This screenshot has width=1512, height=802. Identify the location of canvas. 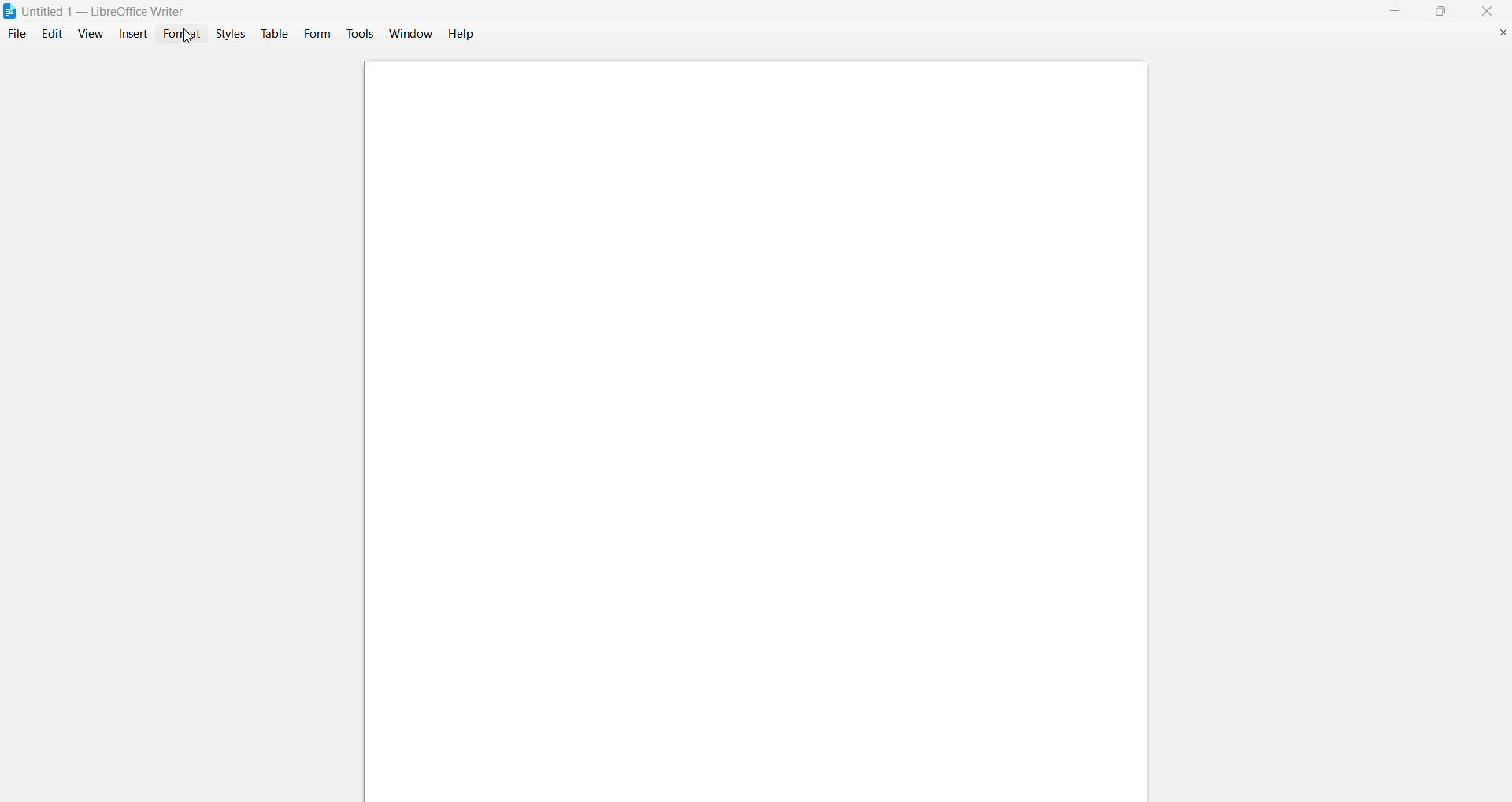
(747, 425).